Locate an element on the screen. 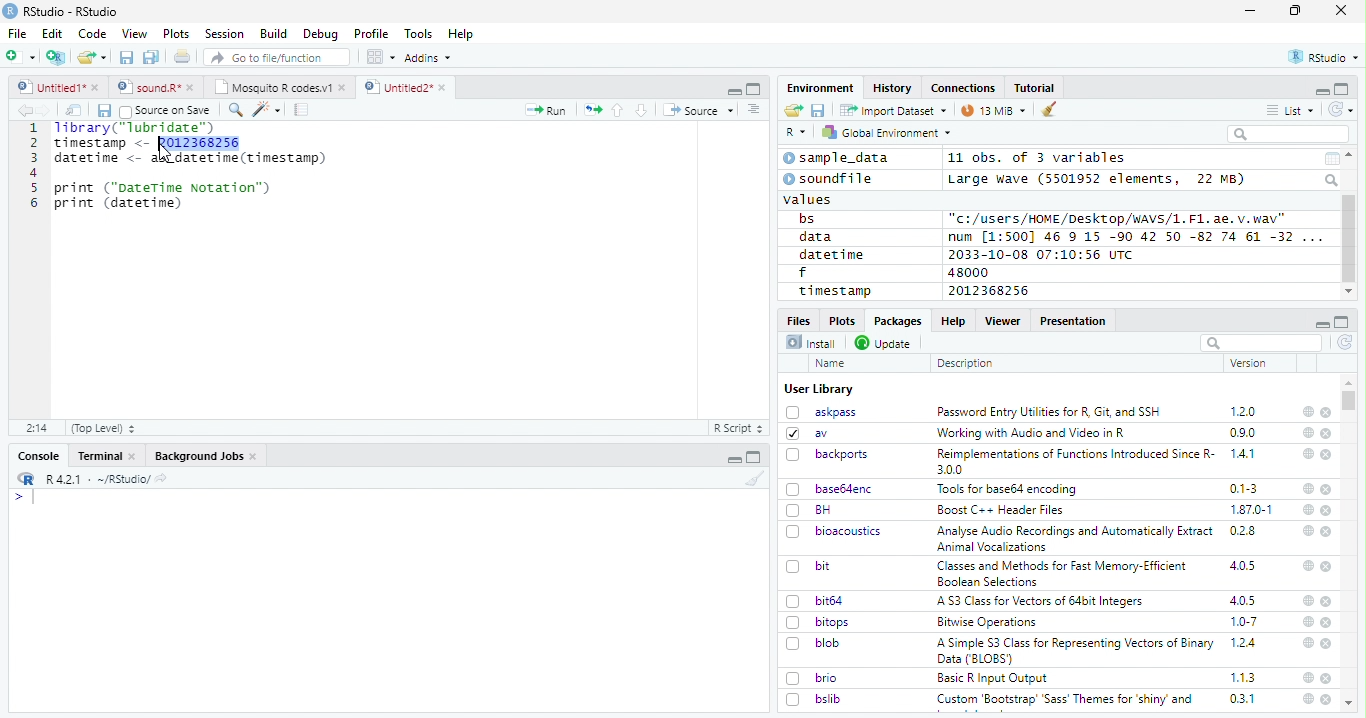 The image size is (1366, 718). 2012368256 is located at coordinates (992, 291).